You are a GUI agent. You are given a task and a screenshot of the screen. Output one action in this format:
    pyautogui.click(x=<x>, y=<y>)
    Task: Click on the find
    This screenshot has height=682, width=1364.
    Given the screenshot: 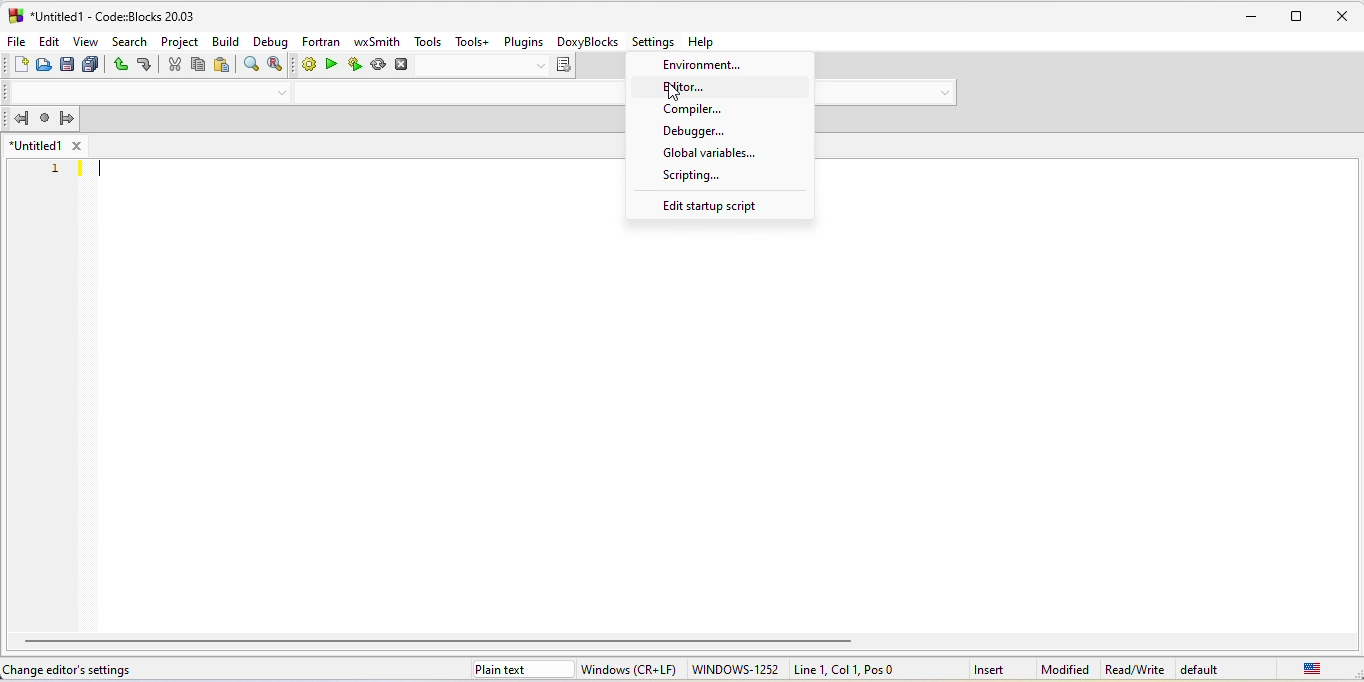 What is the action you would take?
    pyautogui.click(x=252, y=63)
    